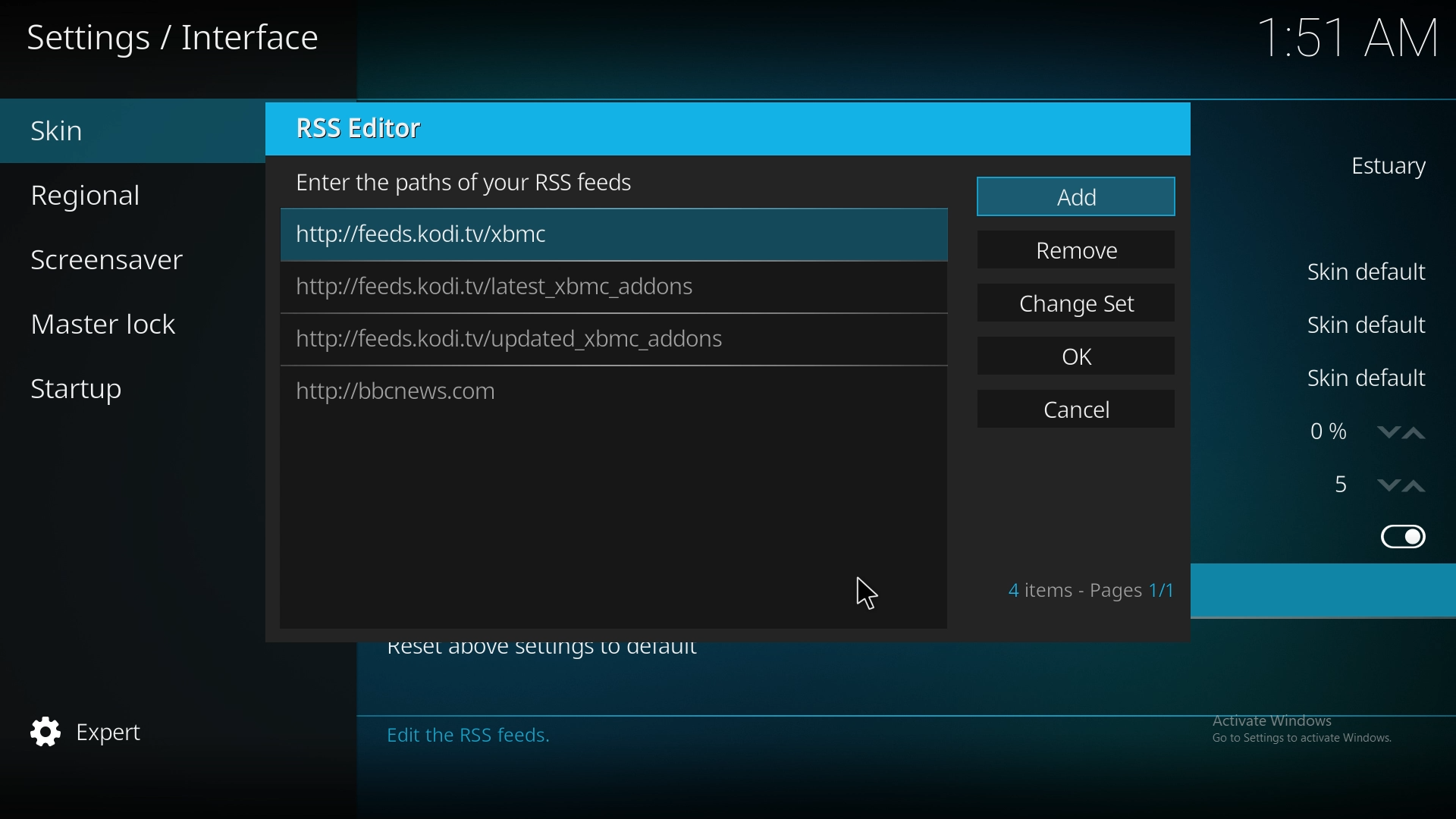 This screenshot has width=1456, height=819. Describe the element at coordinates (1401, 536) in the screenshot. I see `show rss feeds` at that location.